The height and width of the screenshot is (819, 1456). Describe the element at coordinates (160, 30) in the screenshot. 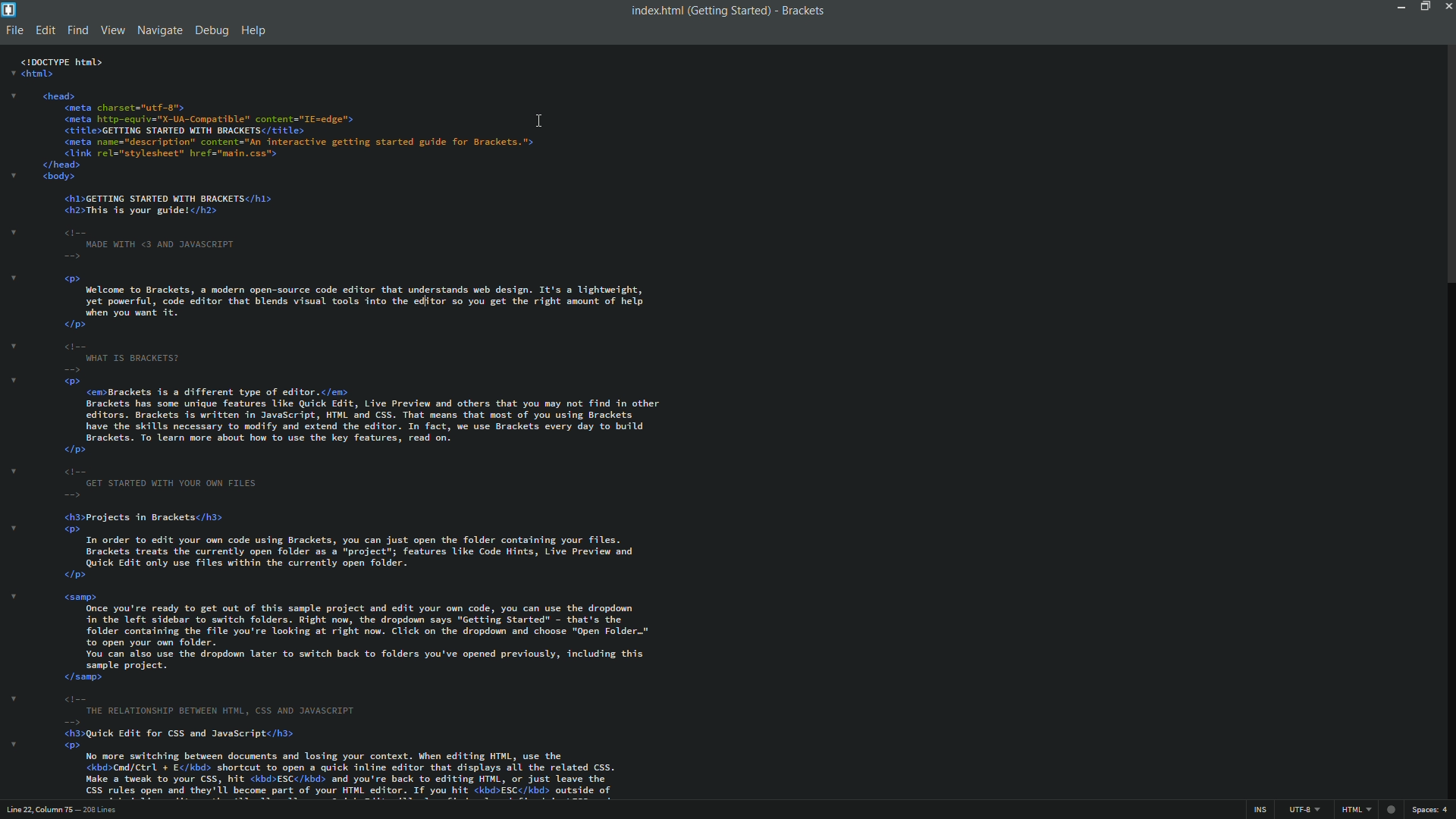

I see `navigate` at that location.